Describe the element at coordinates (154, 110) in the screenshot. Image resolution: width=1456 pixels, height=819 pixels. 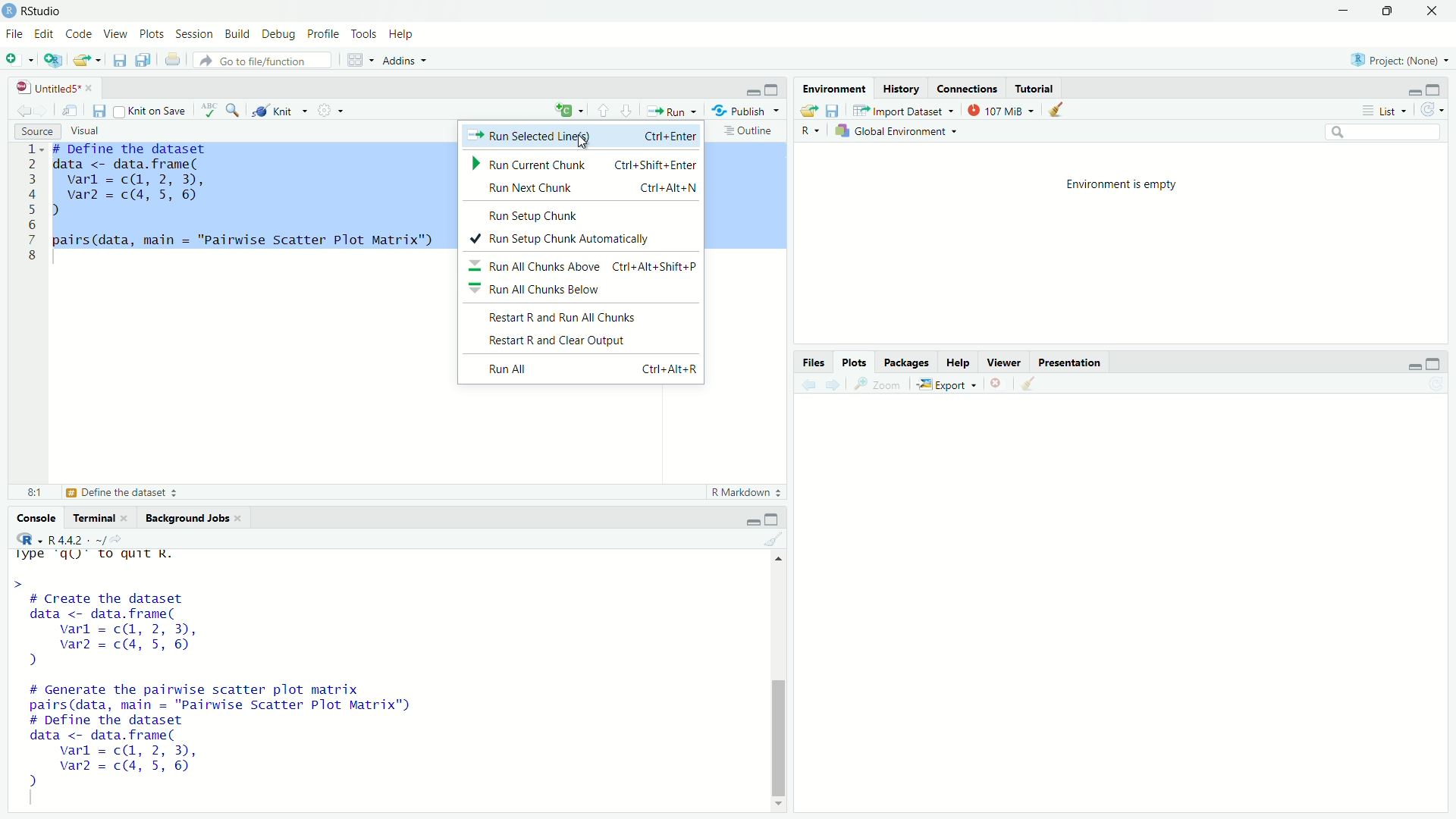
I see `Knit on Save` at that location.